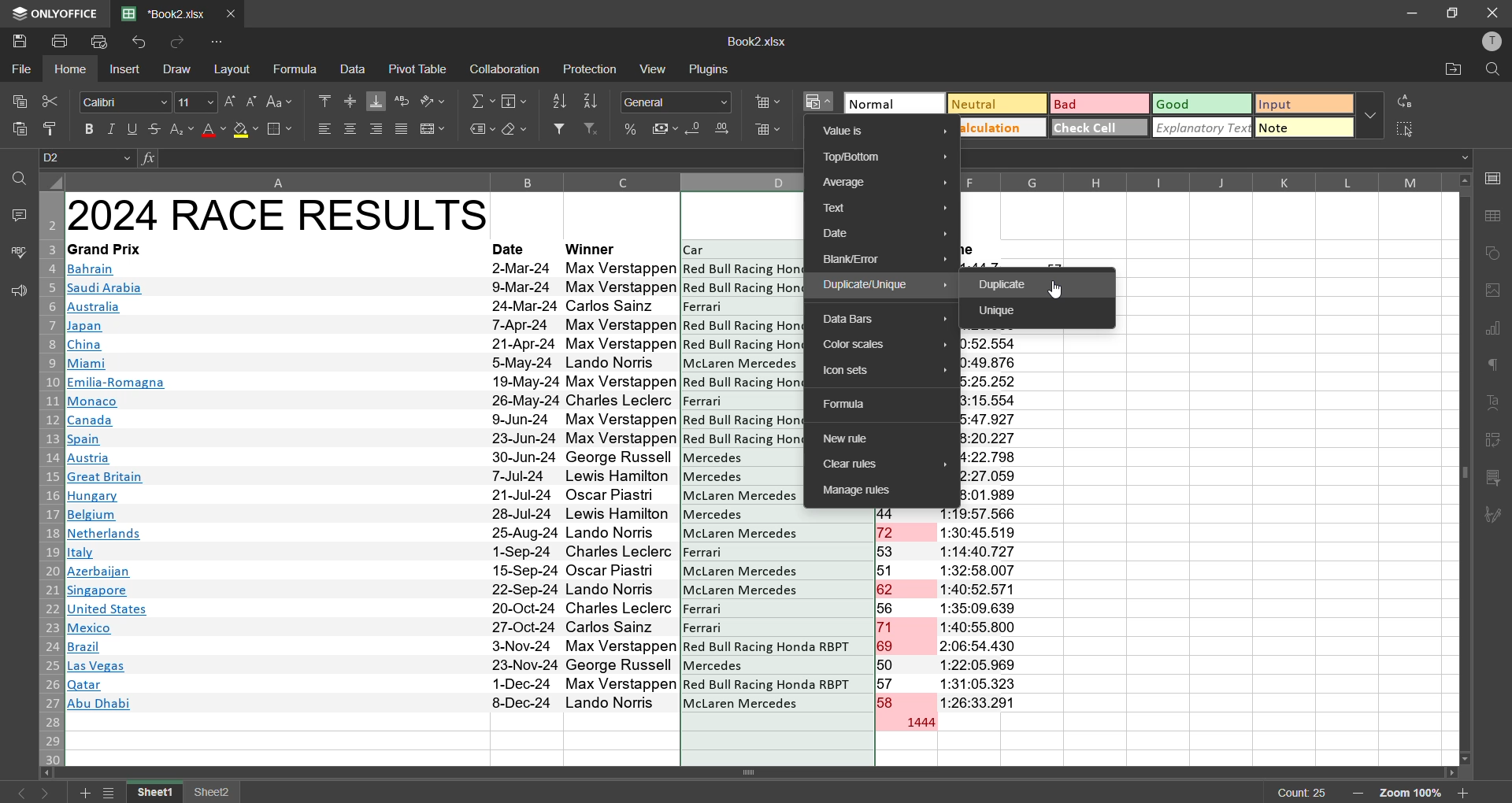 This screenshot has width=1512, height=803. What do you see at coordinates (19, 39) in the screenshot?
I see `save` at bounding box center [19, 39].